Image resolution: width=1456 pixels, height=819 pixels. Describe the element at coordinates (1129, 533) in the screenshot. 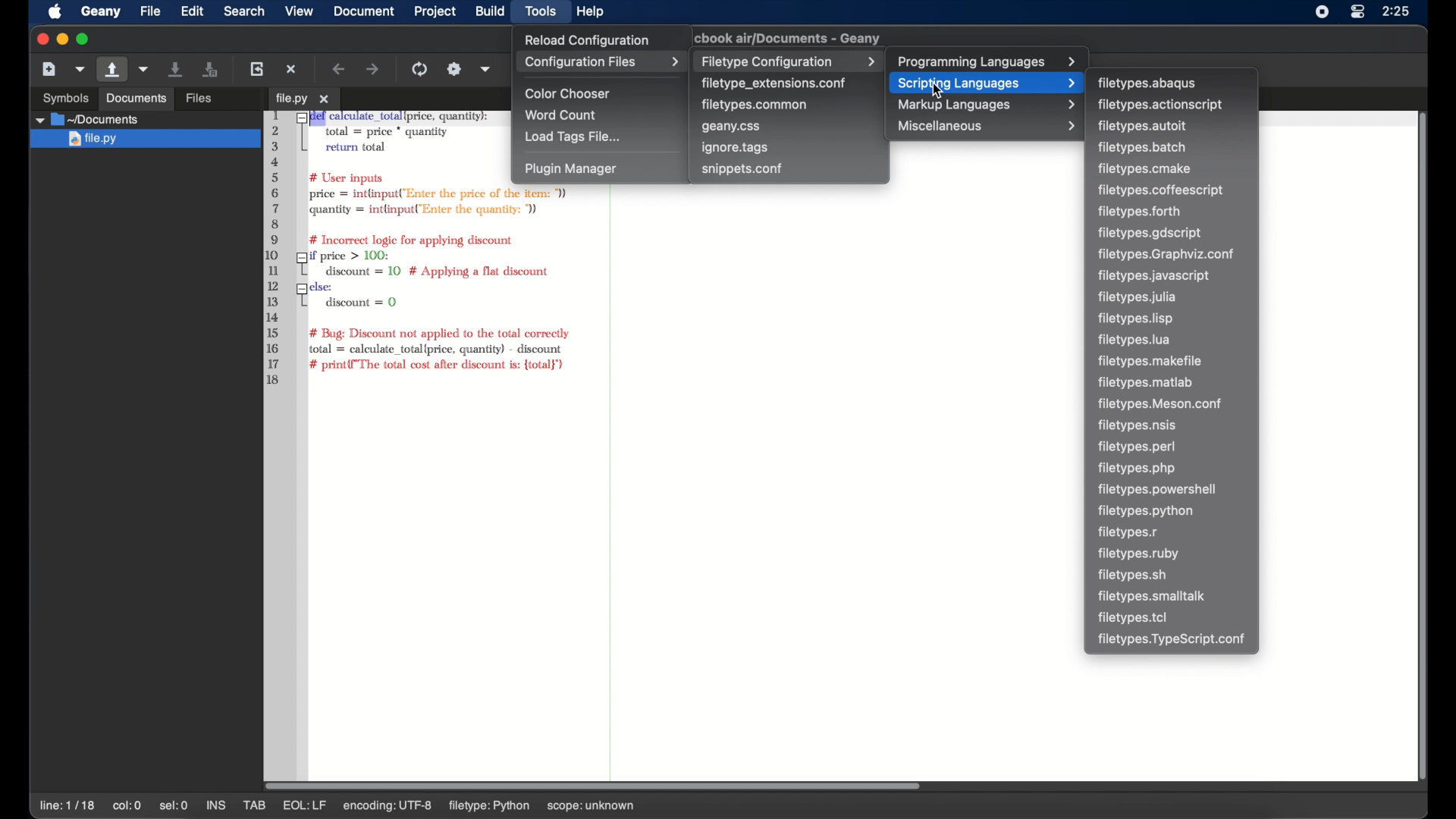

I see `filetypes` at that location.